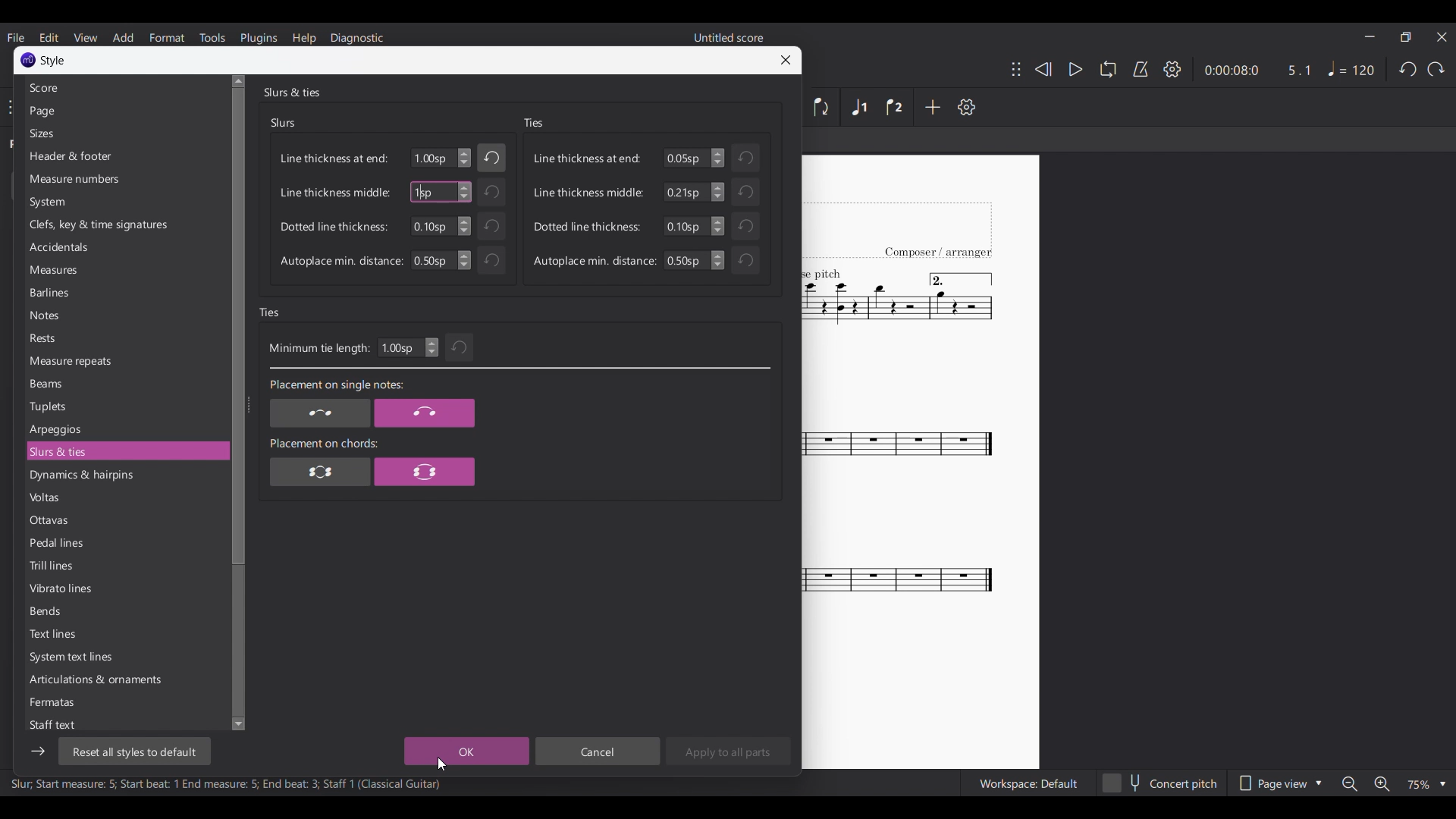 The width and height of the screenshot is (1456, 819). What do you see at coordinates (686, 158) in the screenshot?
I see `Input numbers for line thickness at end` at bounding box center [686, 158].